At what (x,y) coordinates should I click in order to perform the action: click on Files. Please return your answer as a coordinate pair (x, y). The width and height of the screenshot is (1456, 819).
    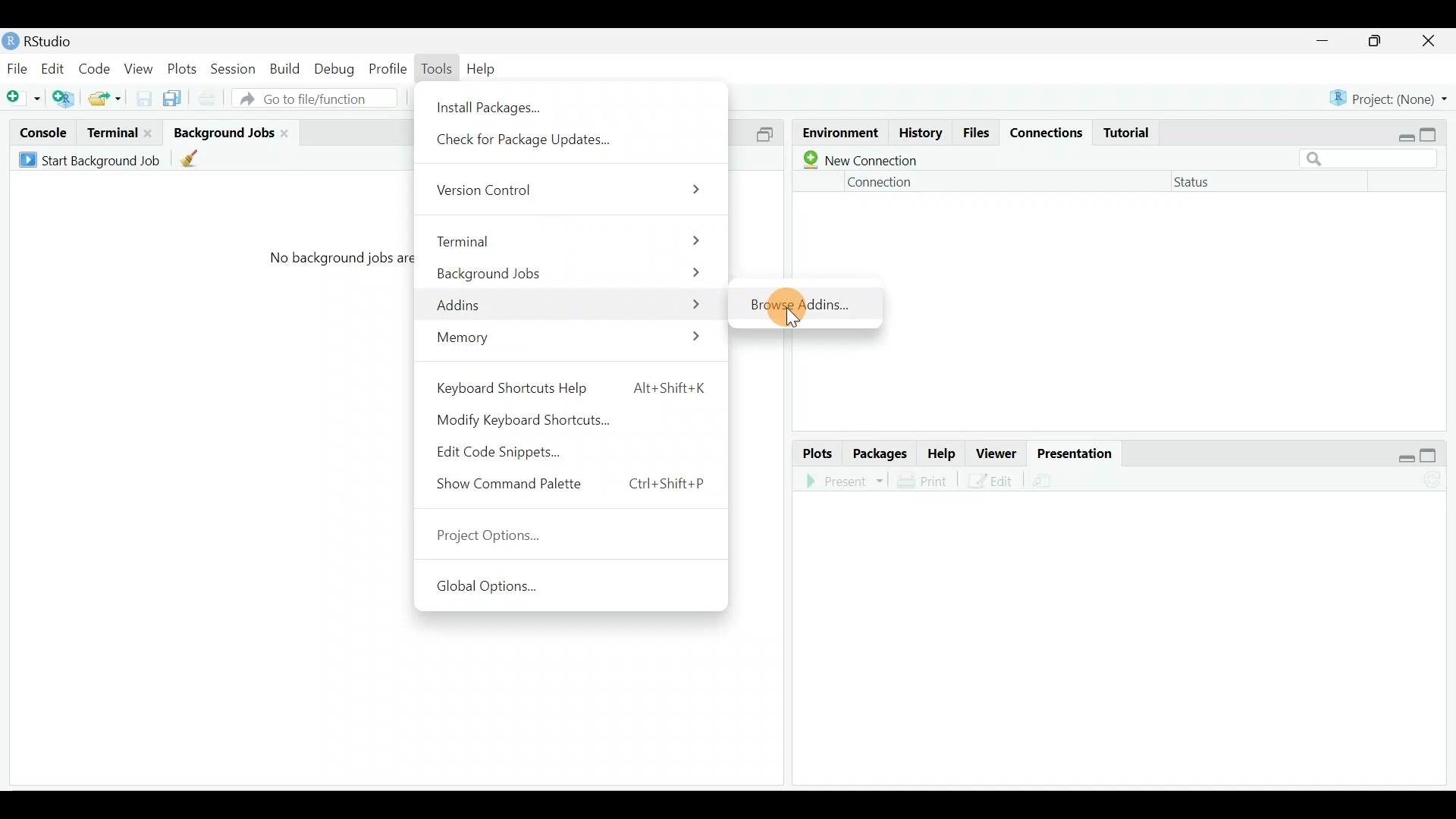
    Looking at the image, I should click on (977, 133).